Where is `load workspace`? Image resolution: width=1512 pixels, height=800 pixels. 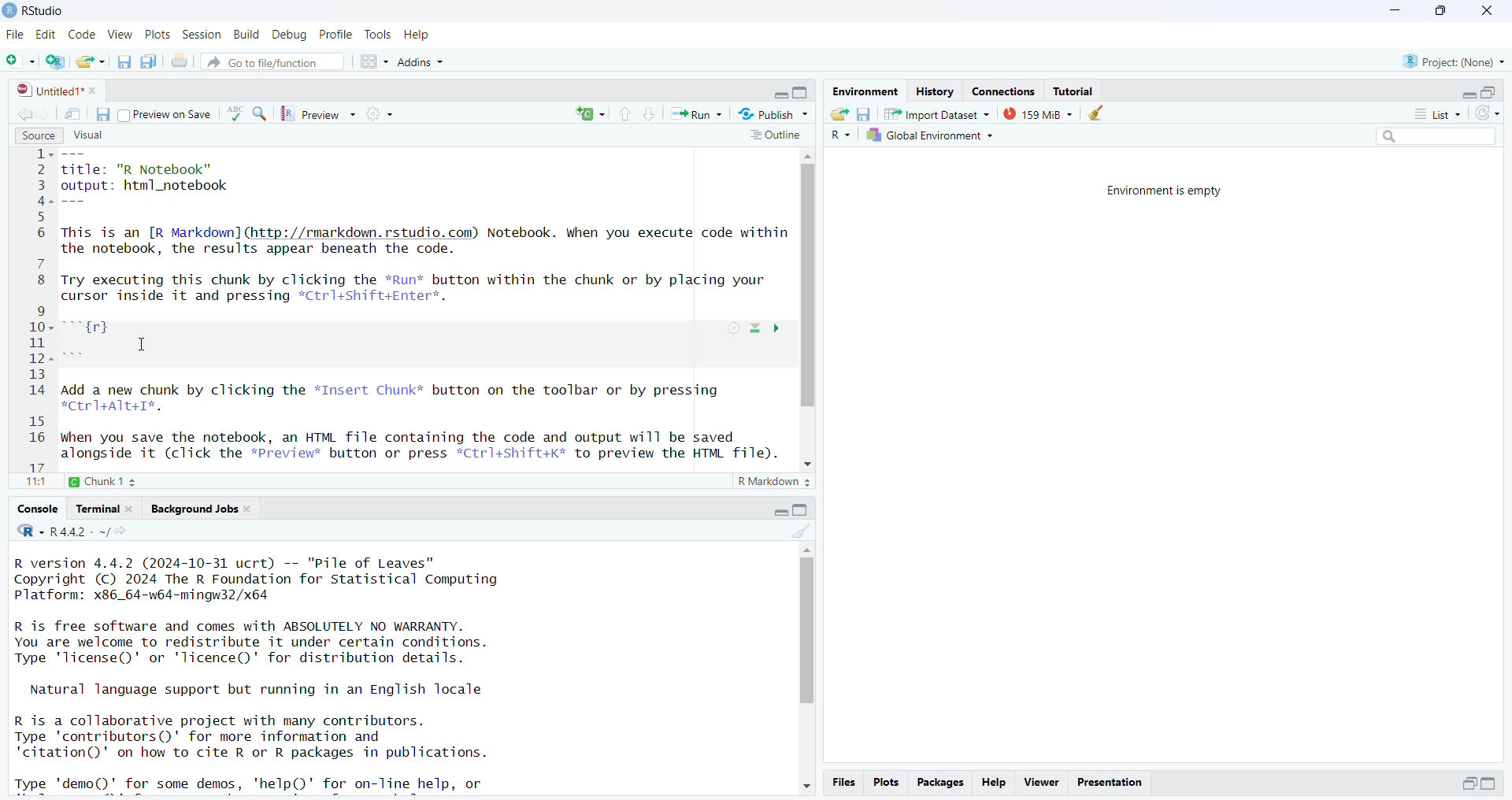
load workspace is located at coordinates (839, 113).